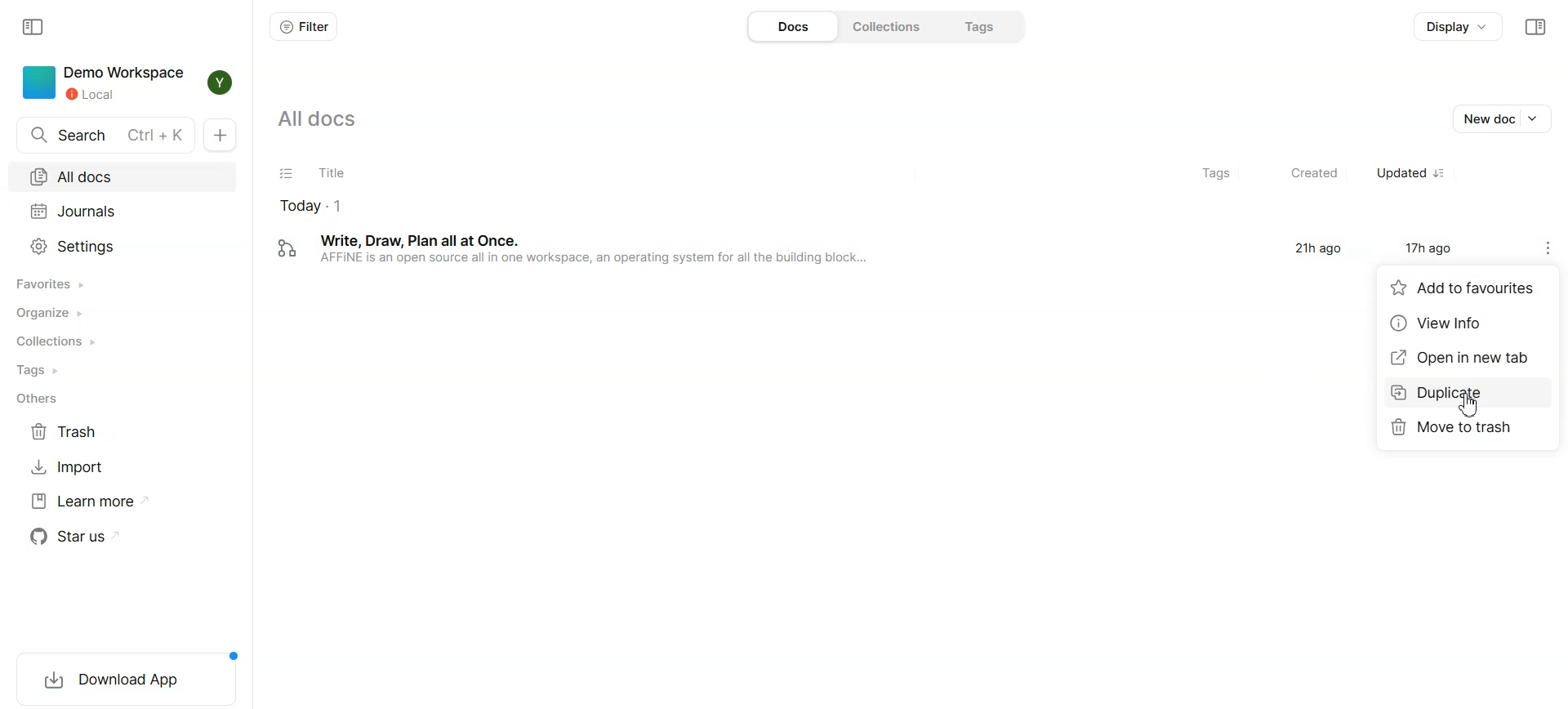  I want to click on Updated sorted, so click(1414, 172).